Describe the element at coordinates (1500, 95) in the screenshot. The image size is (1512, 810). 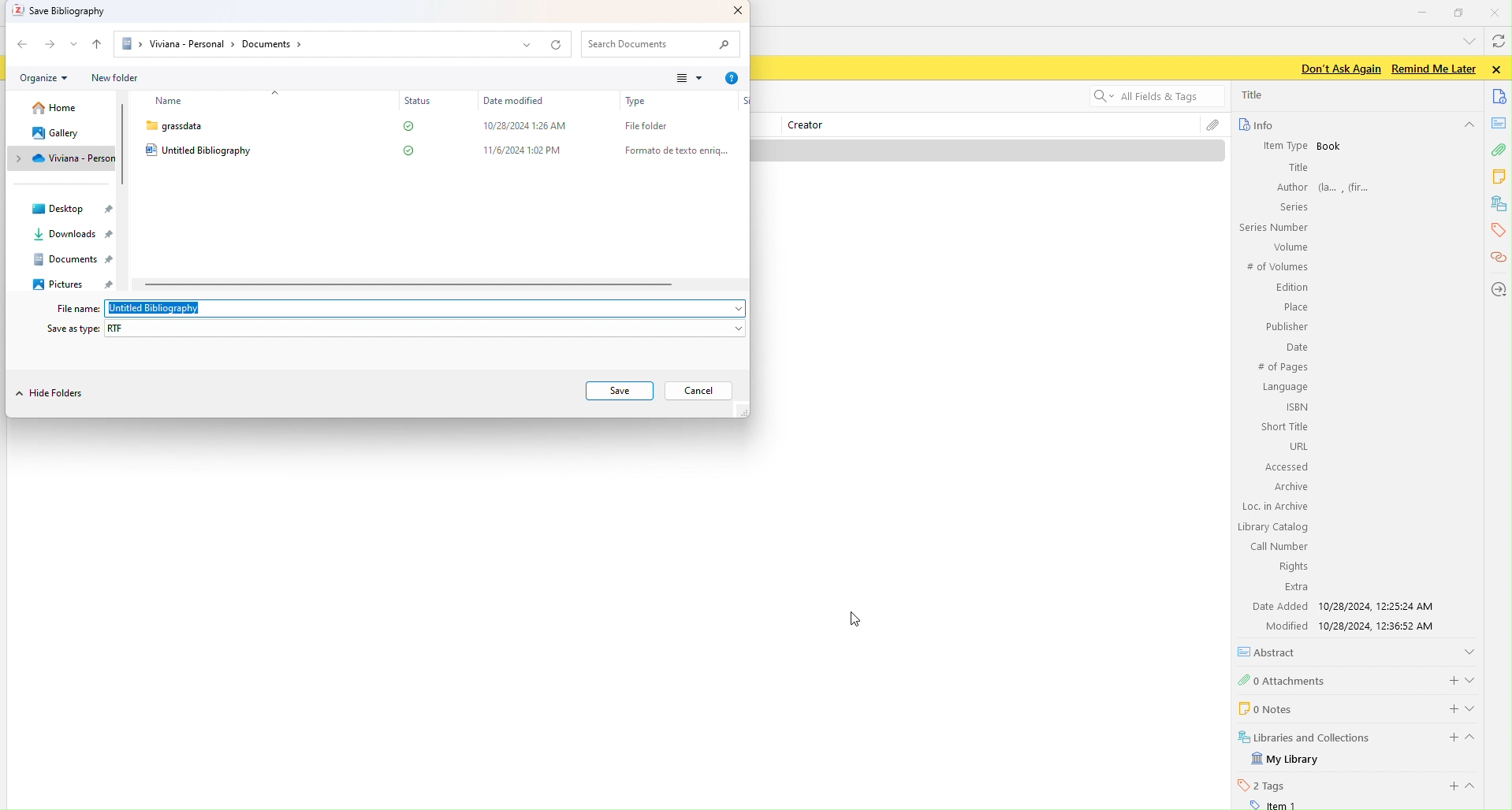
I see `documents` at that location.